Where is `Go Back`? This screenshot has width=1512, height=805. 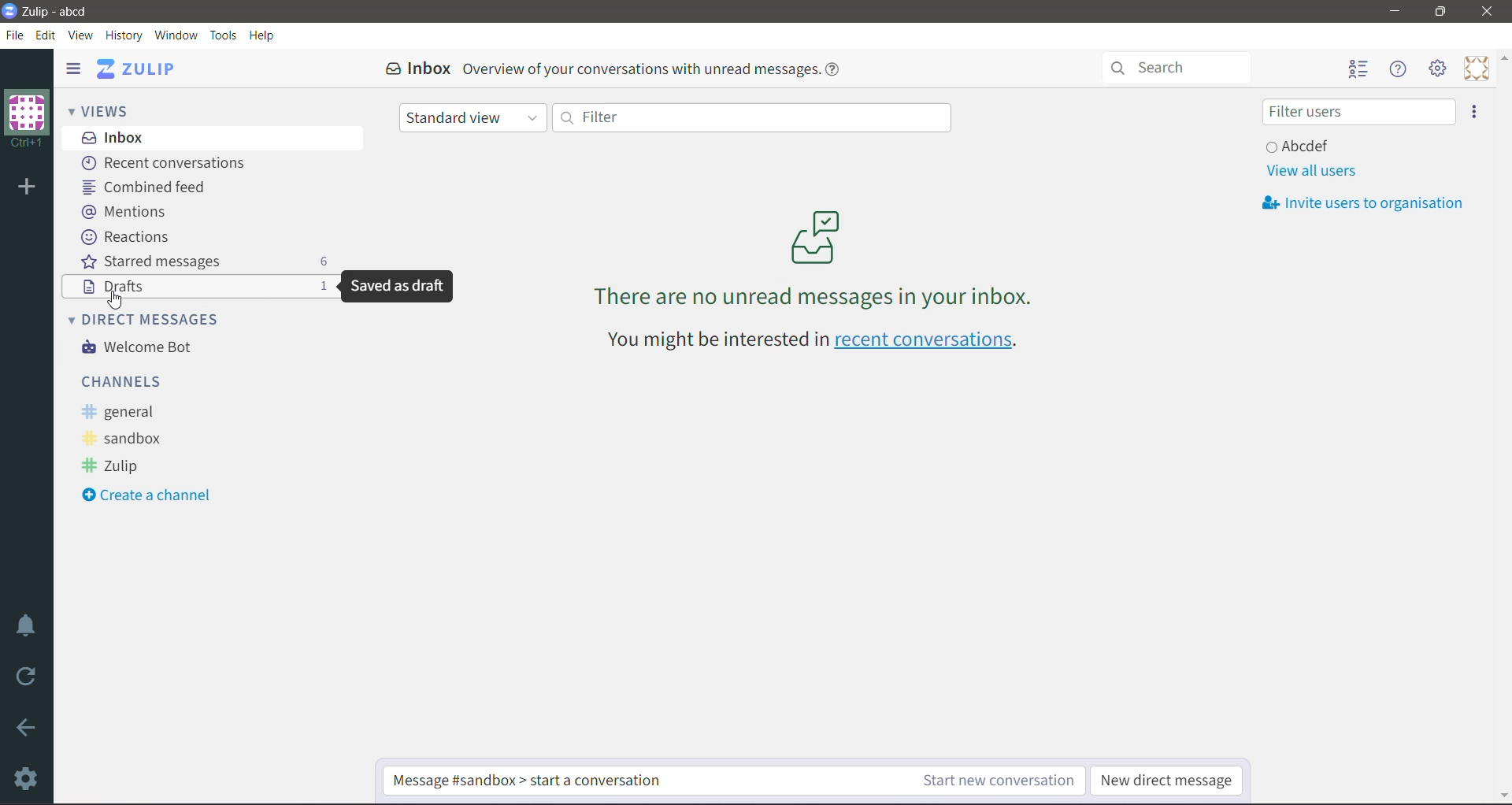 Go Back is located at coordinates (27, 727).